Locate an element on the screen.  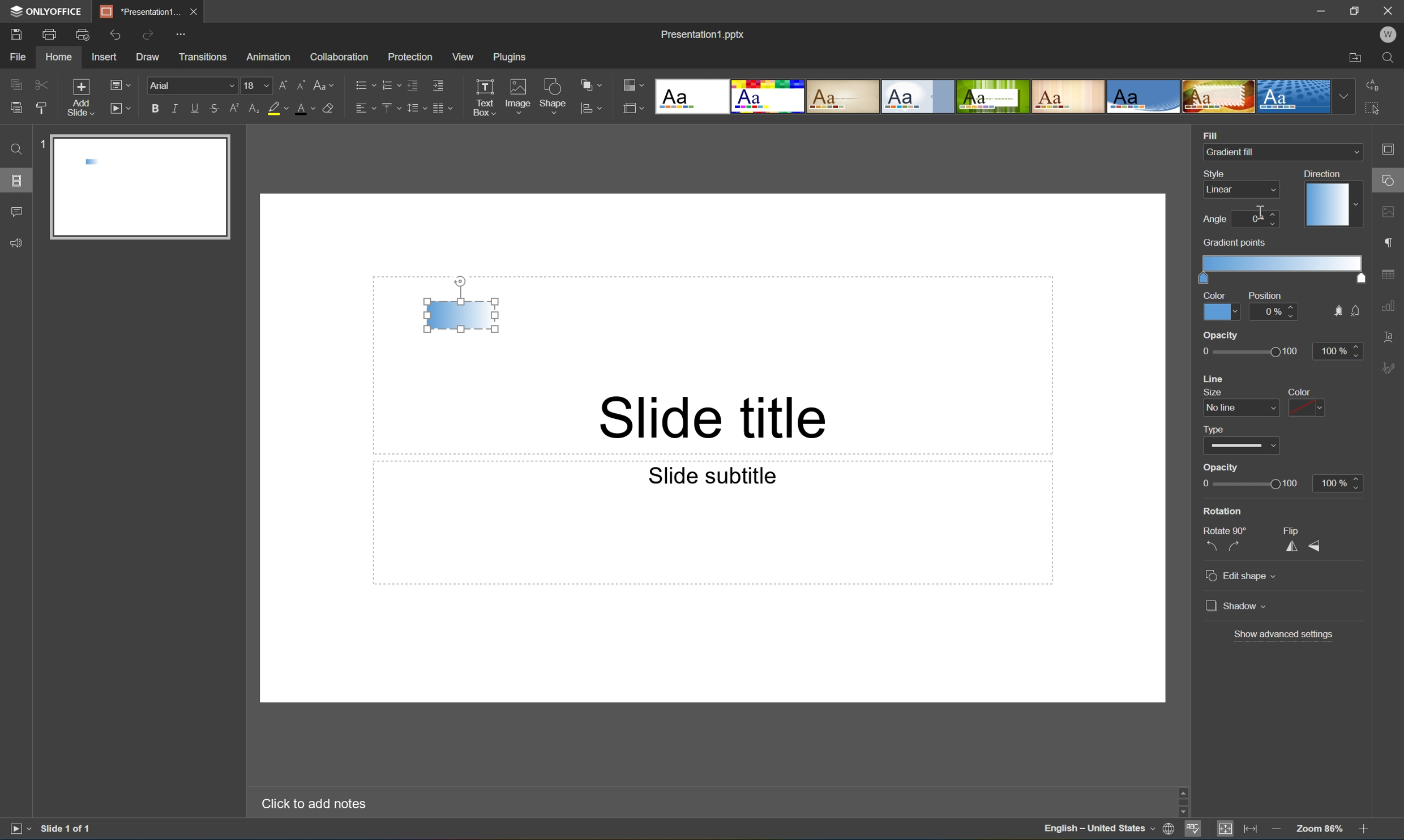
Customize quick access toolbar is located at coordinates (185, 33).